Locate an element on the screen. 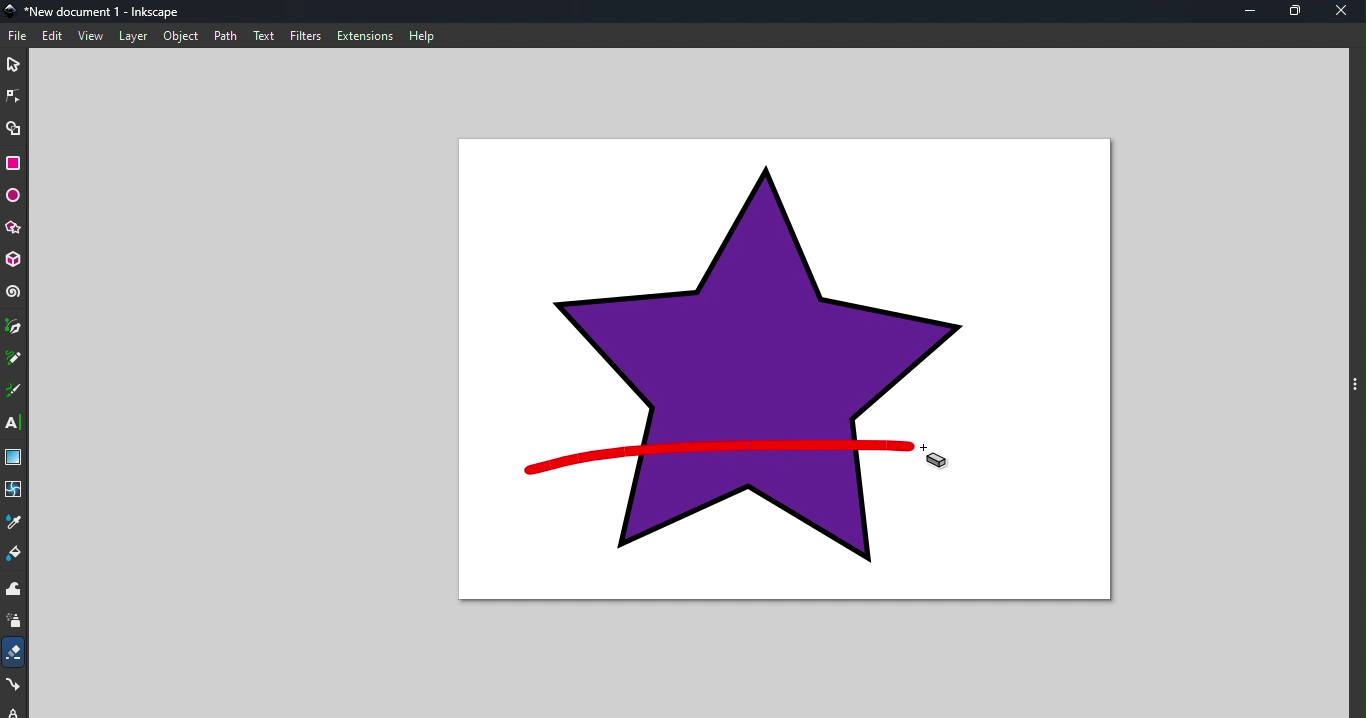 Image resolution: width=1366 pixels, height=718 pixels. Eraser Line is located at coordinates (715, 458).